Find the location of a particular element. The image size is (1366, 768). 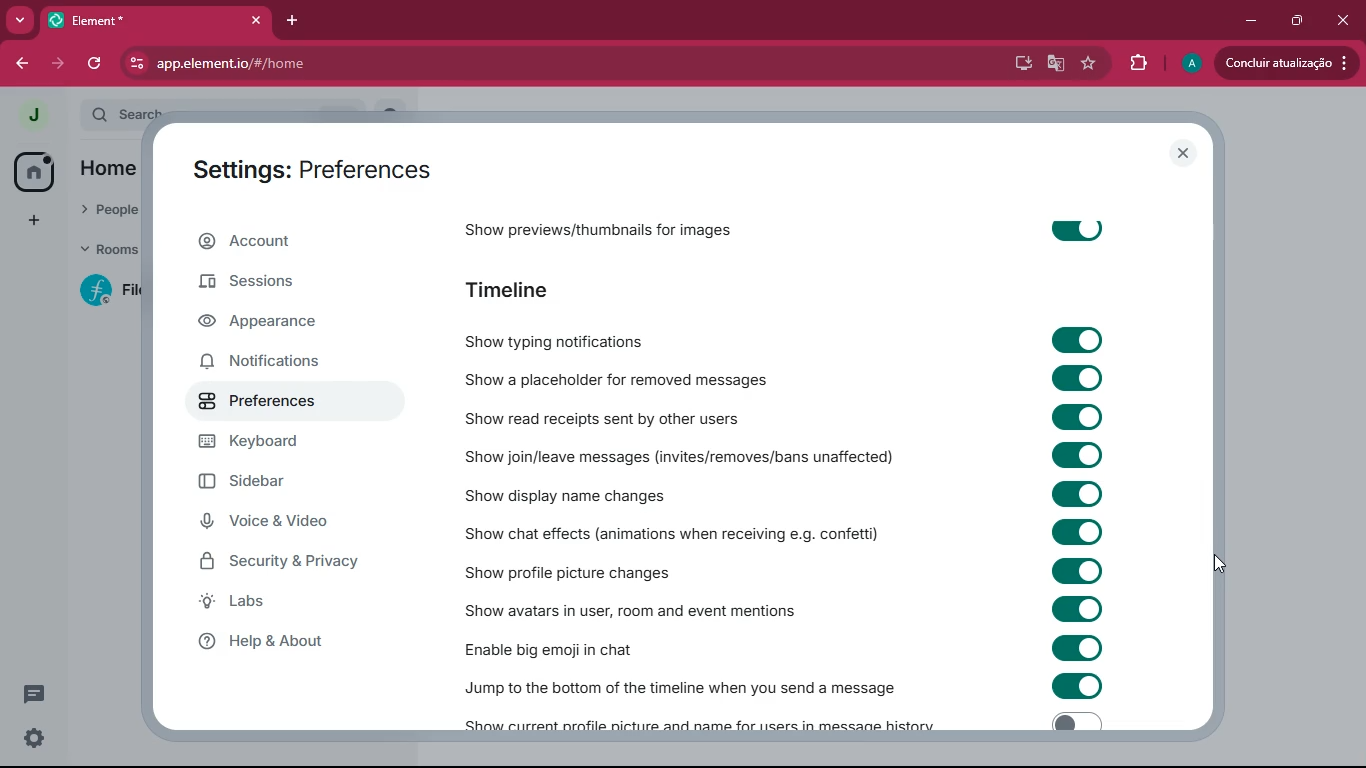

timeline is located at coordinates (519, 287).